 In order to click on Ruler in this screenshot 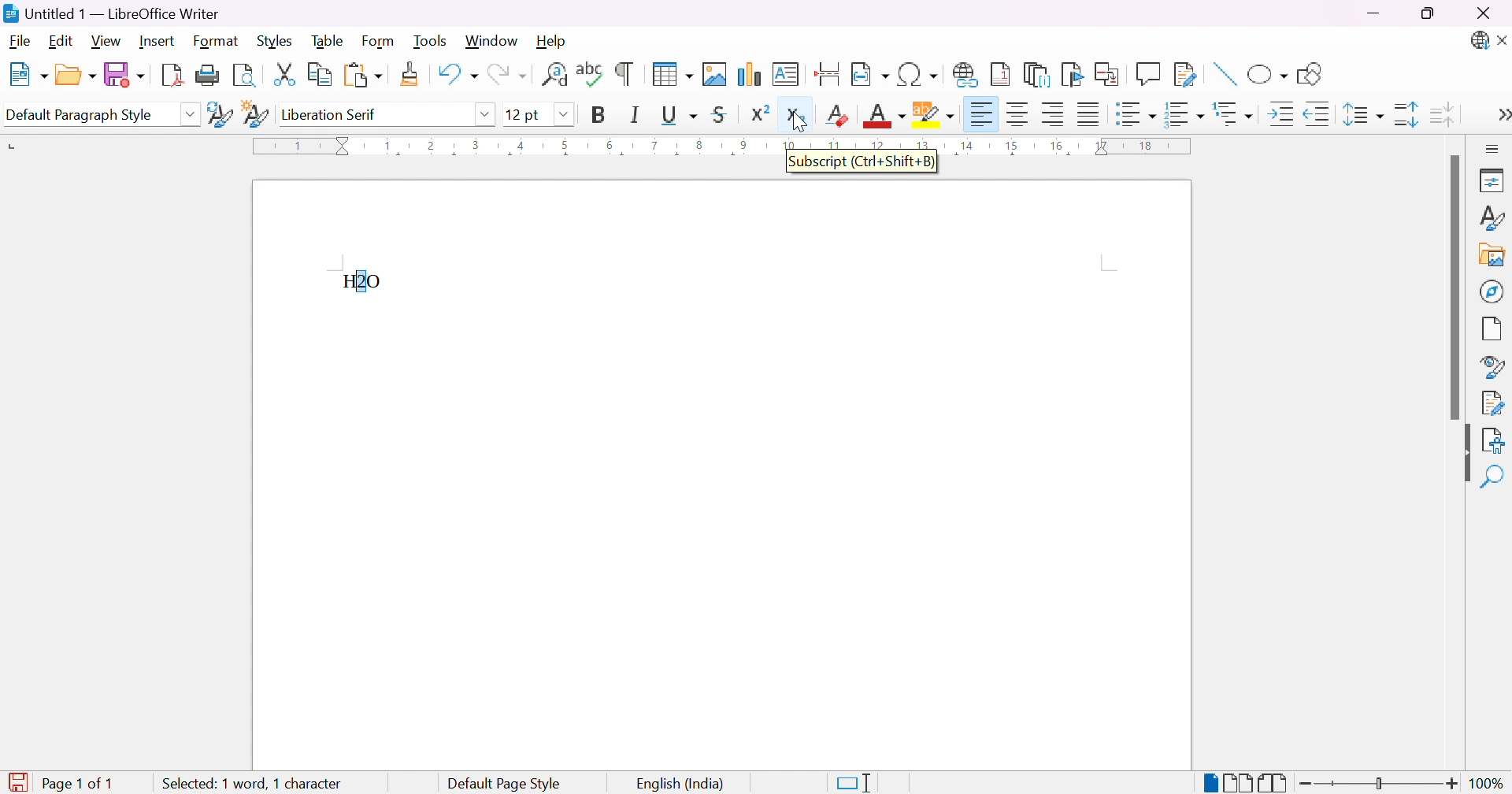, I will do `click(728, 141)`.